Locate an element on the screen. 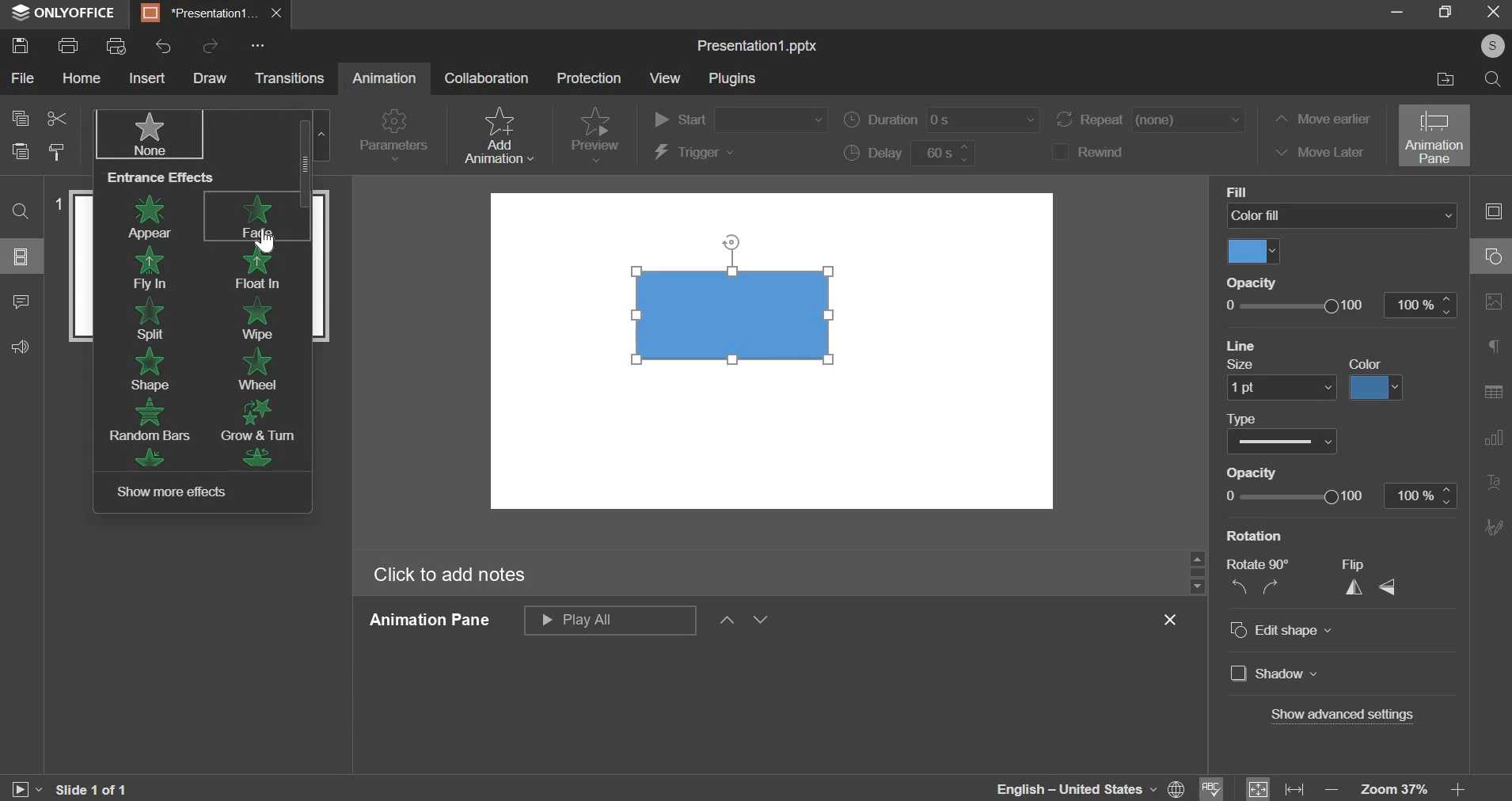 The width and height of the screenshot is (1512, 801). add animation is located at coordinates (502, 135).